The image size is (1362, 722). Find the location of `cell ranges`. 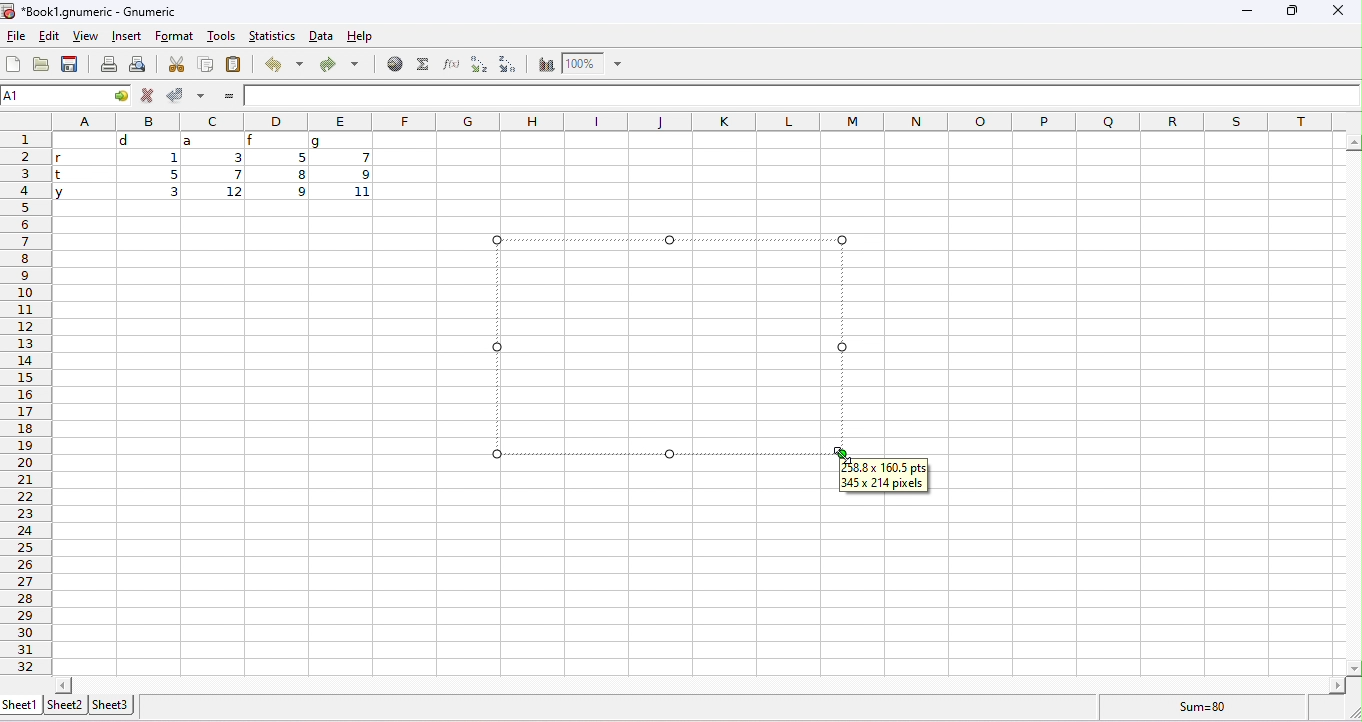

cell ranges is located at coordinates (216, 171).